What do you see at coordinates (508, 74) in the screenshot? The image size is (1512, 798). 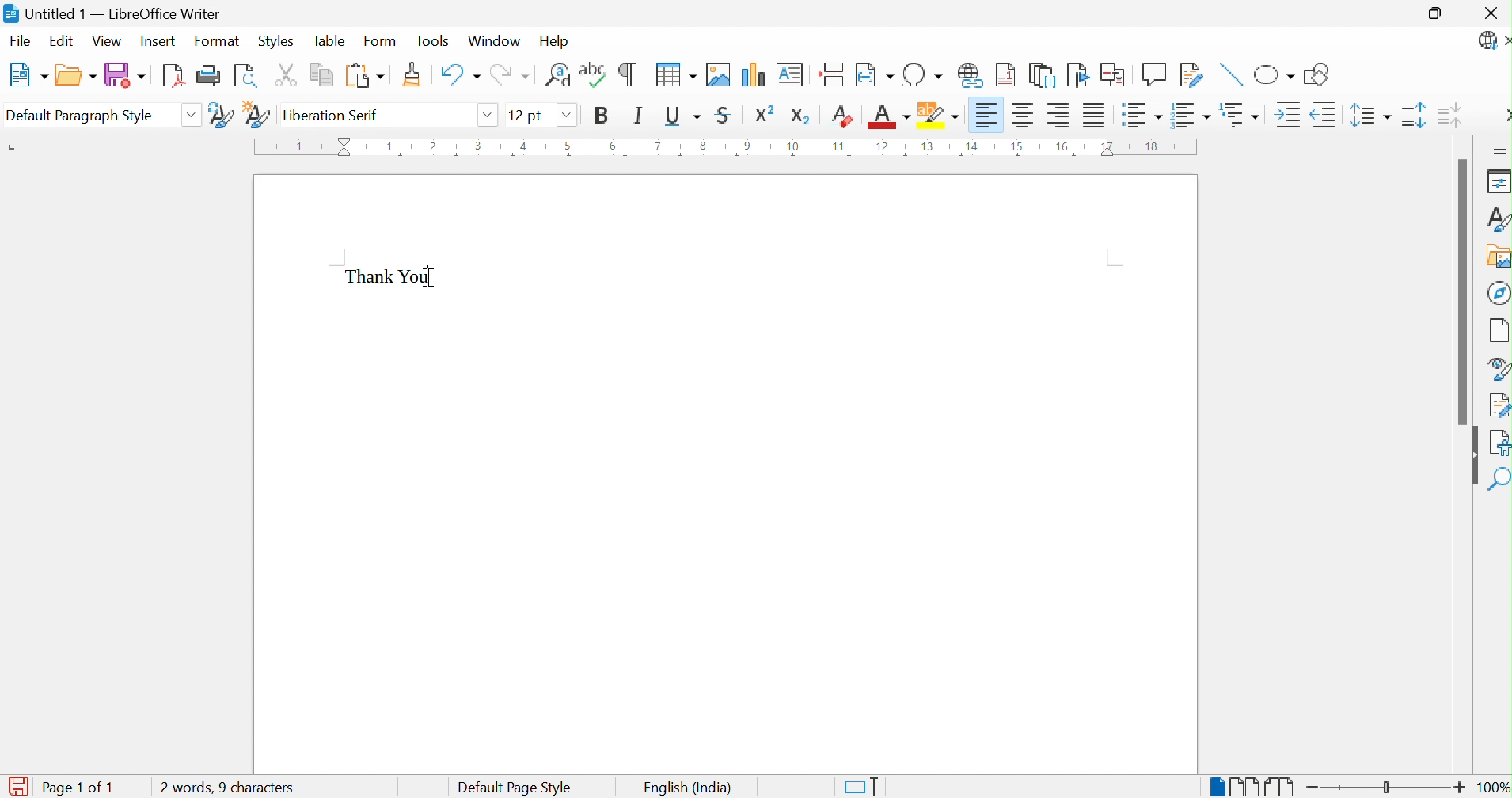 I see `` at bounding box center [508, 74].